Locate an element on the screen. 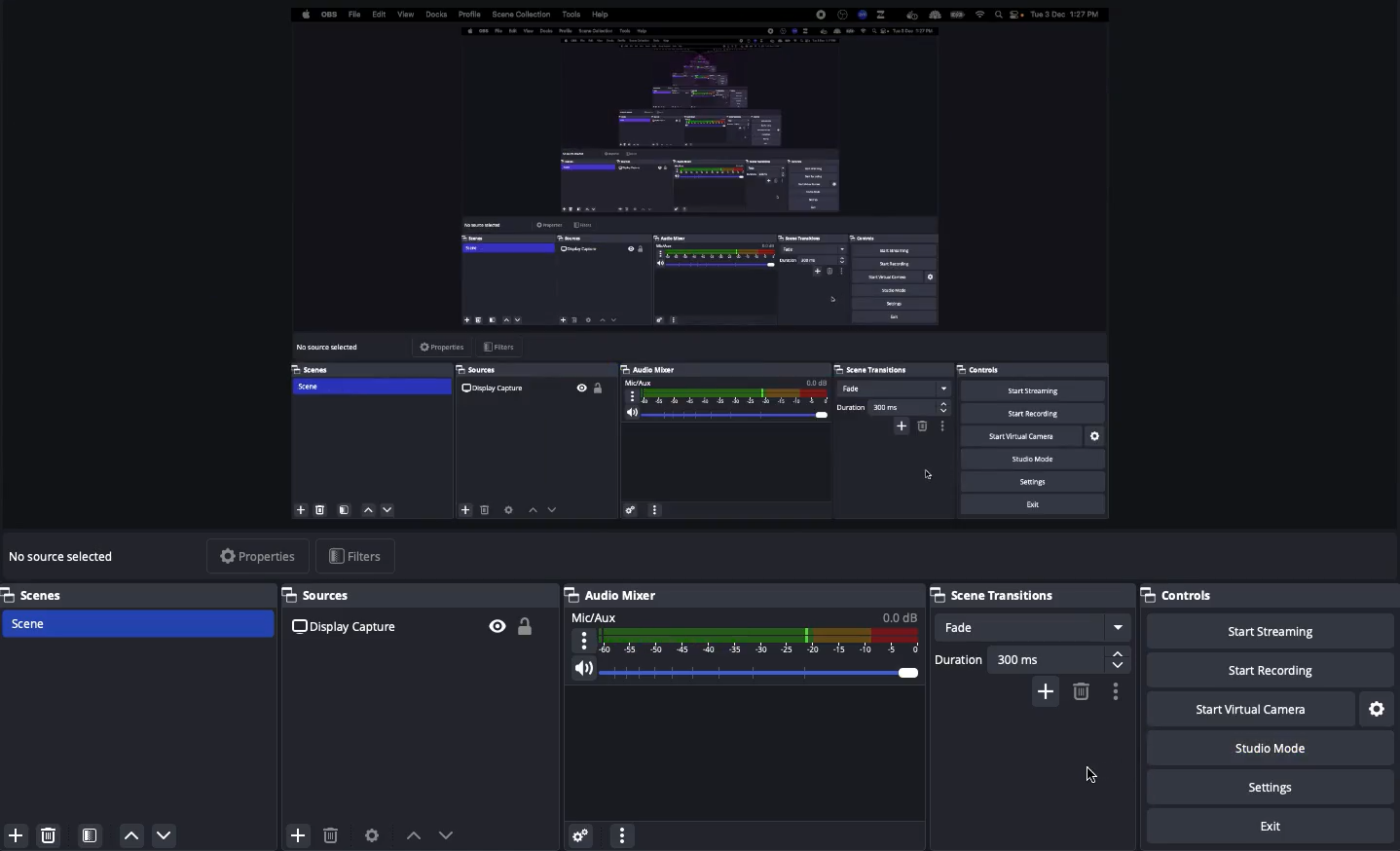  Duration is located at coordinates (1031, 660).